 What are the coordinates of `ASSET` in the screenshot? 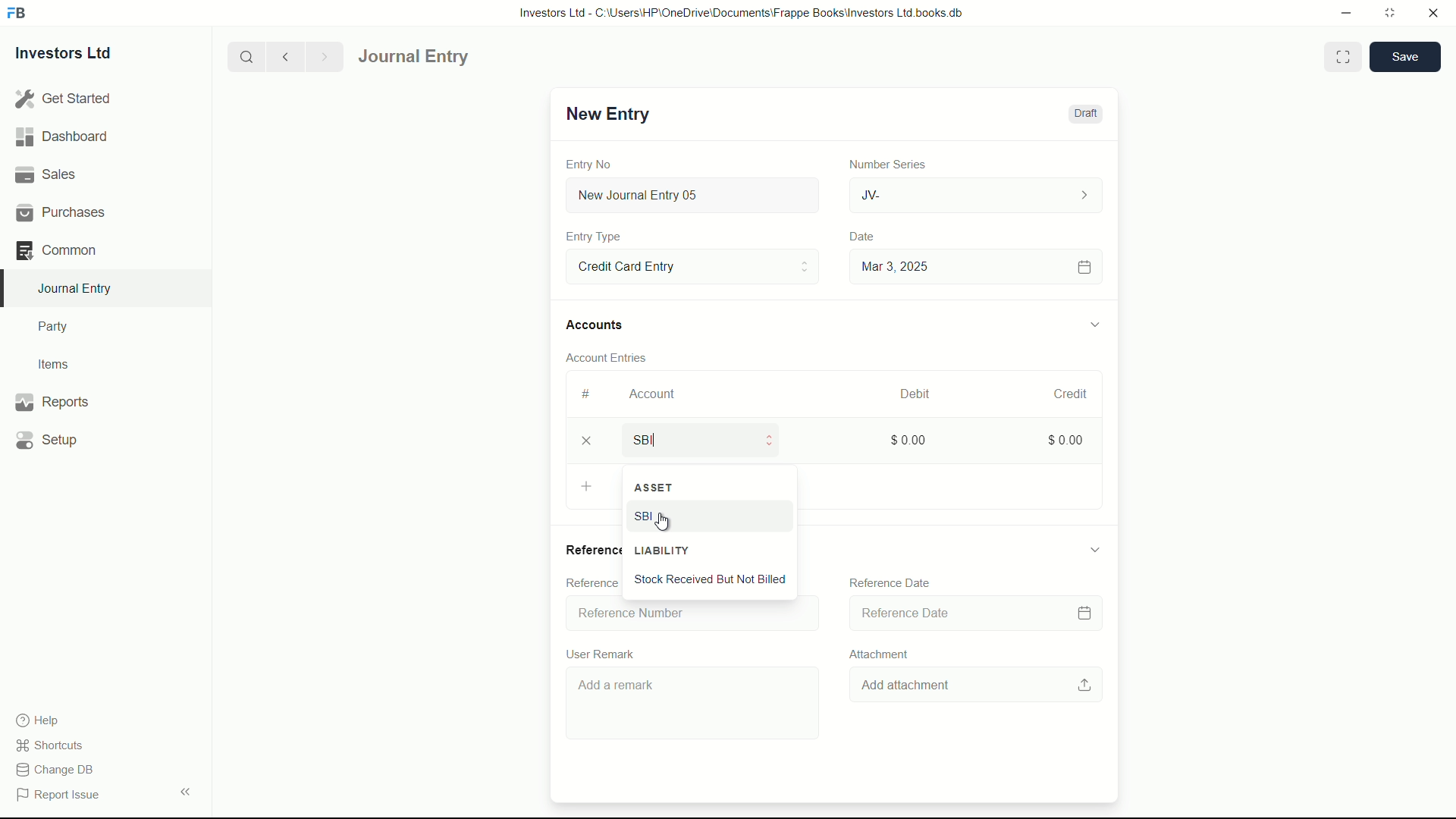 It's located at (710, 488).